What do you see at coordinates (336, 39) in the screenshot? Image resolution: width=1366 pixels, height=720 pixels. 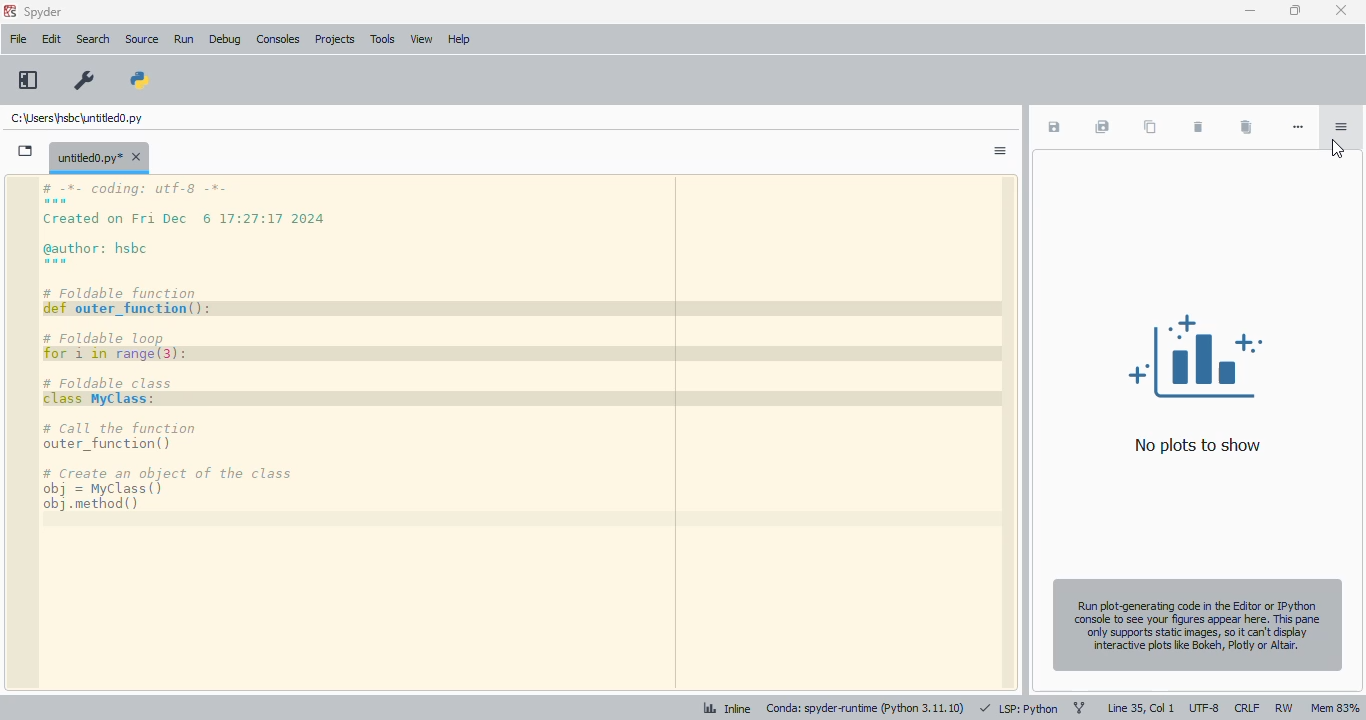 I see `projects` at bounding box center [336, 39].